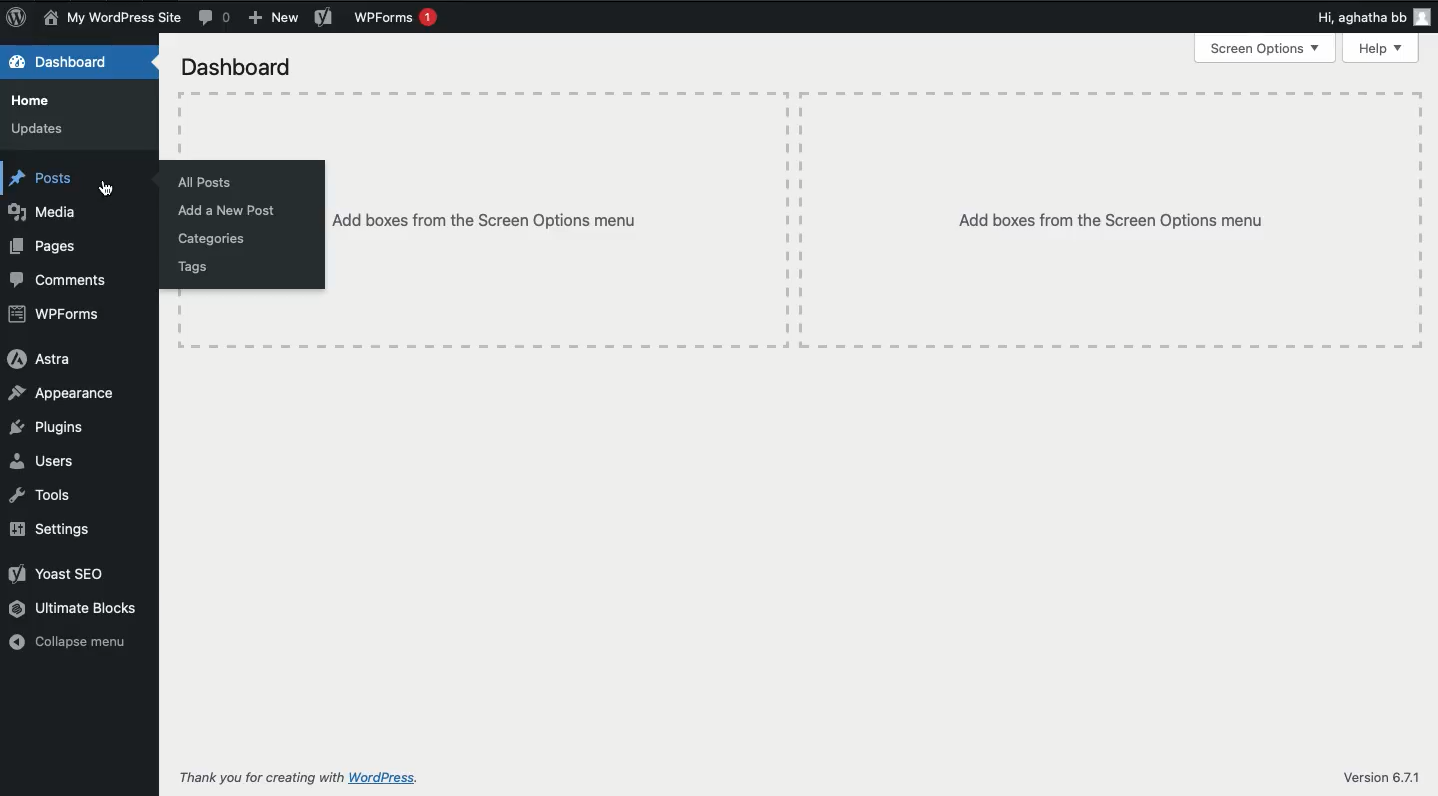 Image resolution: width=1438 pixels, height=796 pixels. I want to click on Astra, so click(39, 358).